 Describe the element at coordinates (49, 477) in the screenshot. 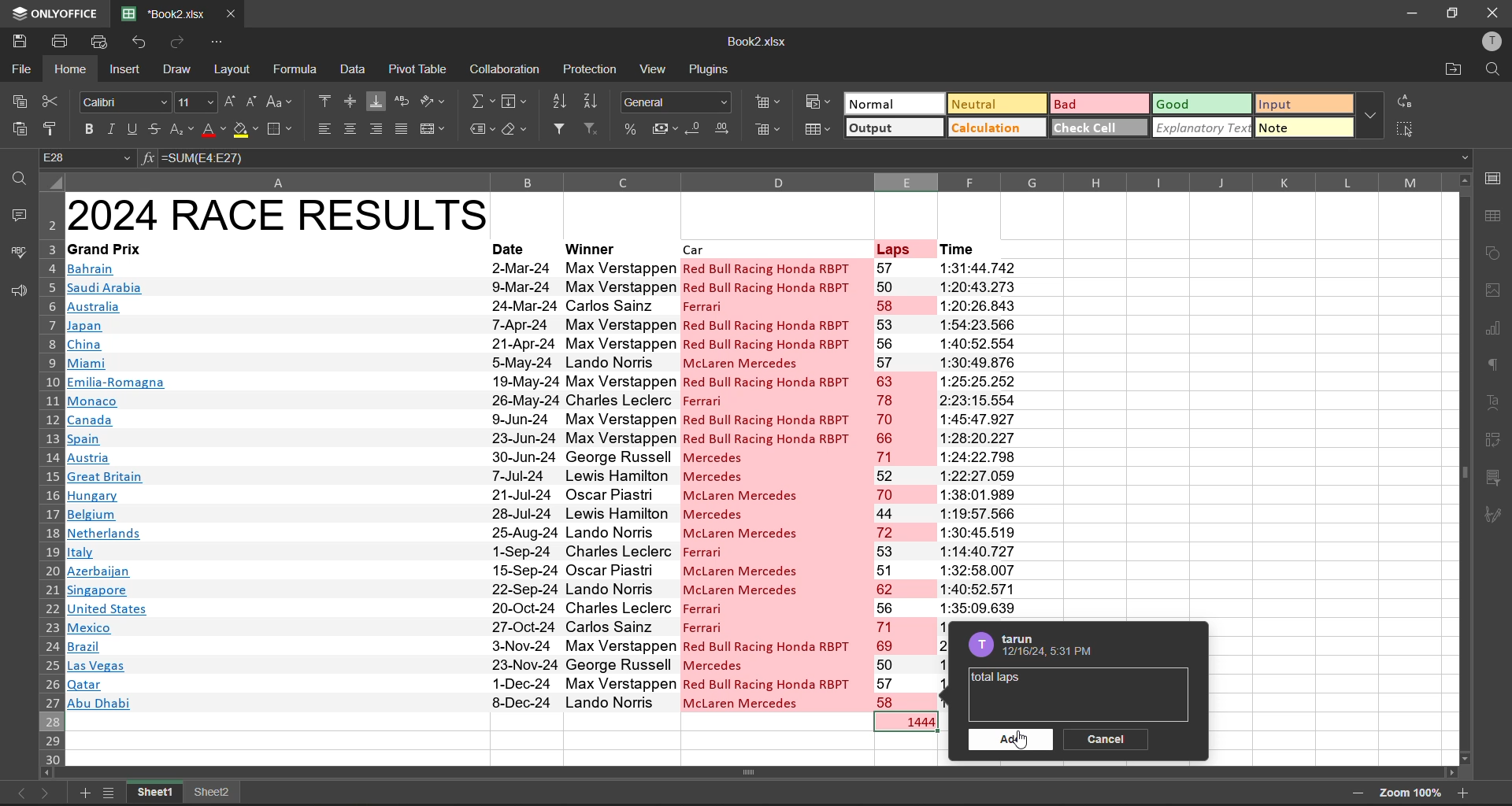

I see `row number` at that location.